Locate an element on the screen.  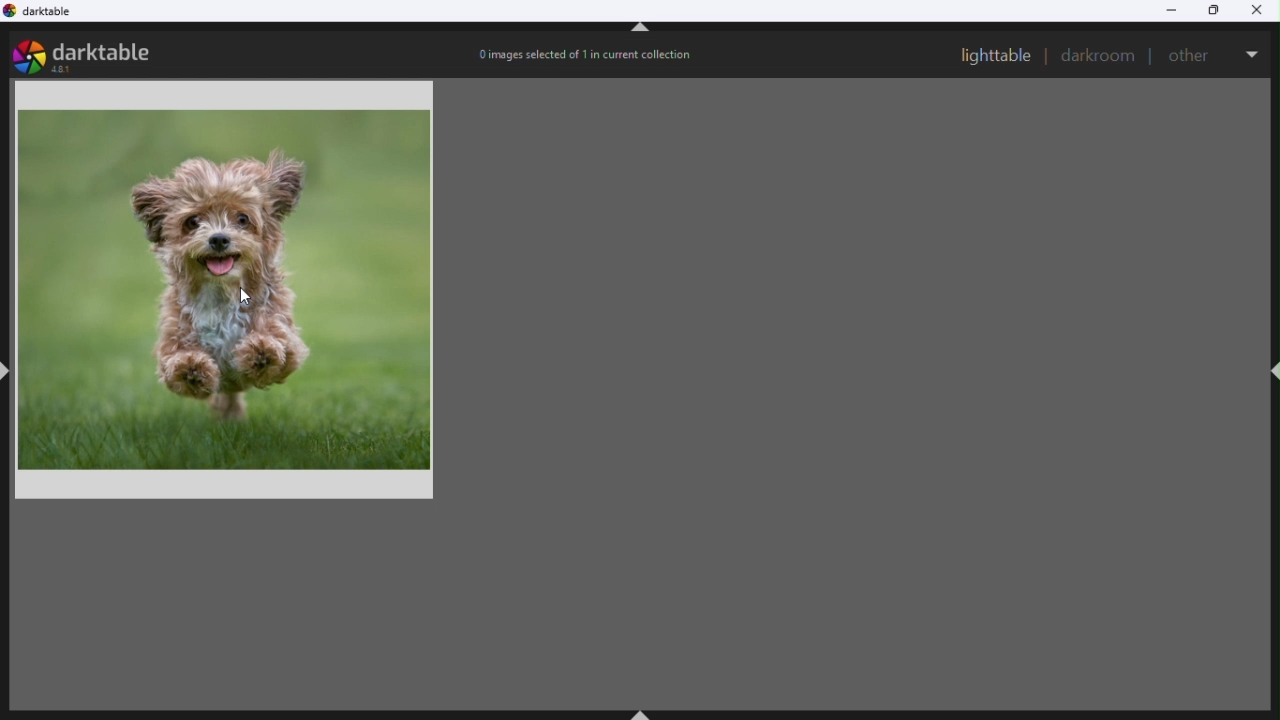
Other is located at coordinates (1192, 53).